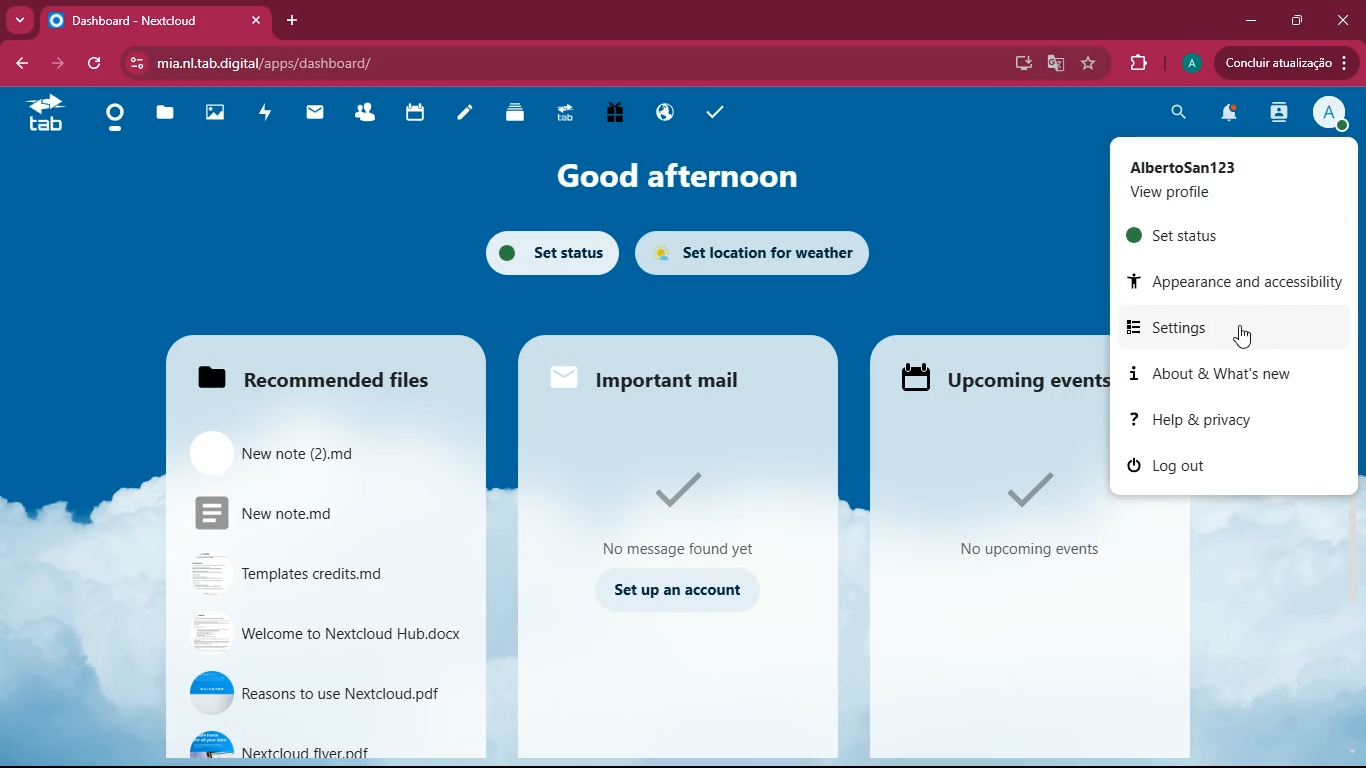 This screenshot has height=768, width=1366. Describe the element at coordinates (715, 110) in the screenshot. I see `tasks` at that location.